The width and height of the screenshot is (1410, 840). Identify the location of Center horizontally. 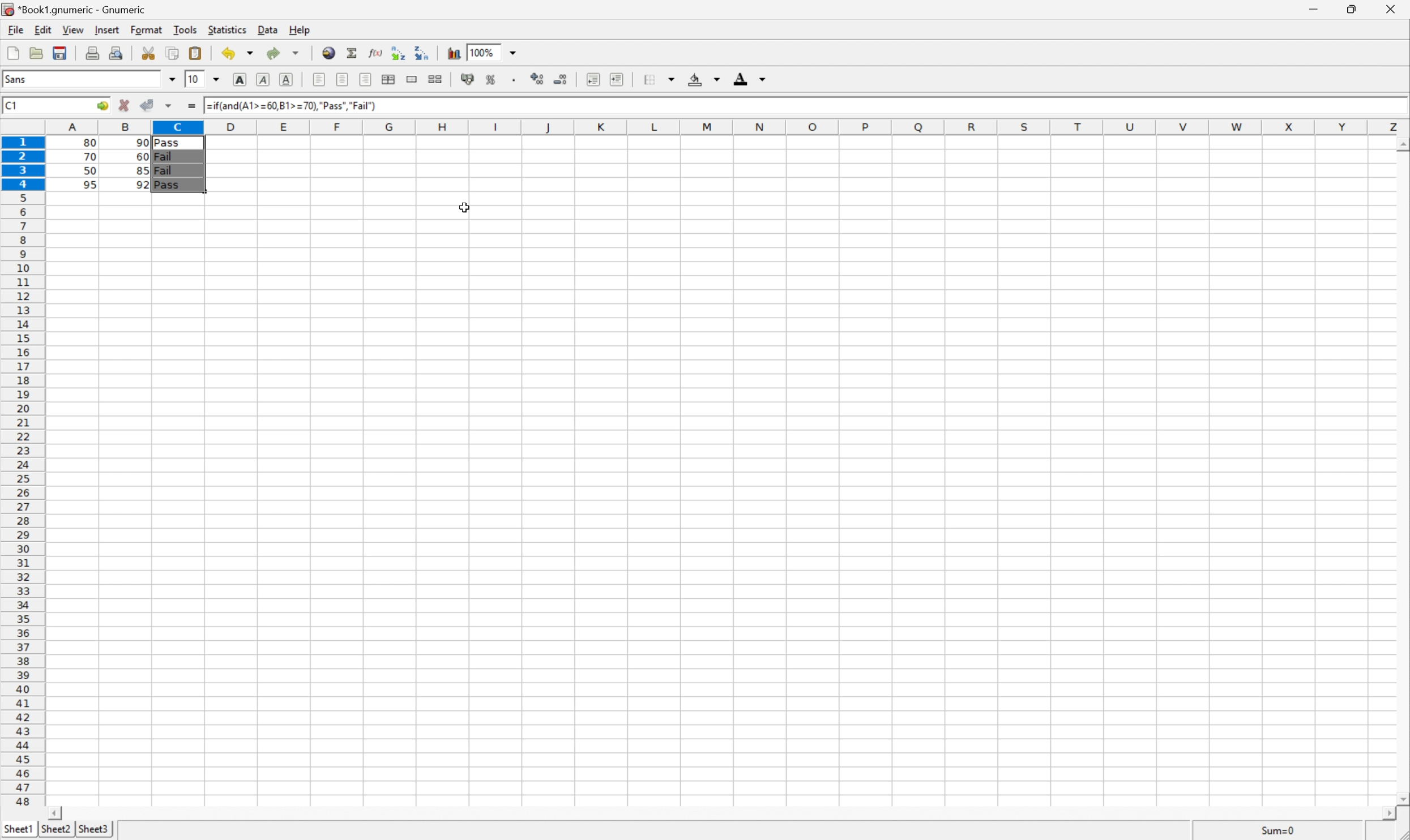
(343, 80).